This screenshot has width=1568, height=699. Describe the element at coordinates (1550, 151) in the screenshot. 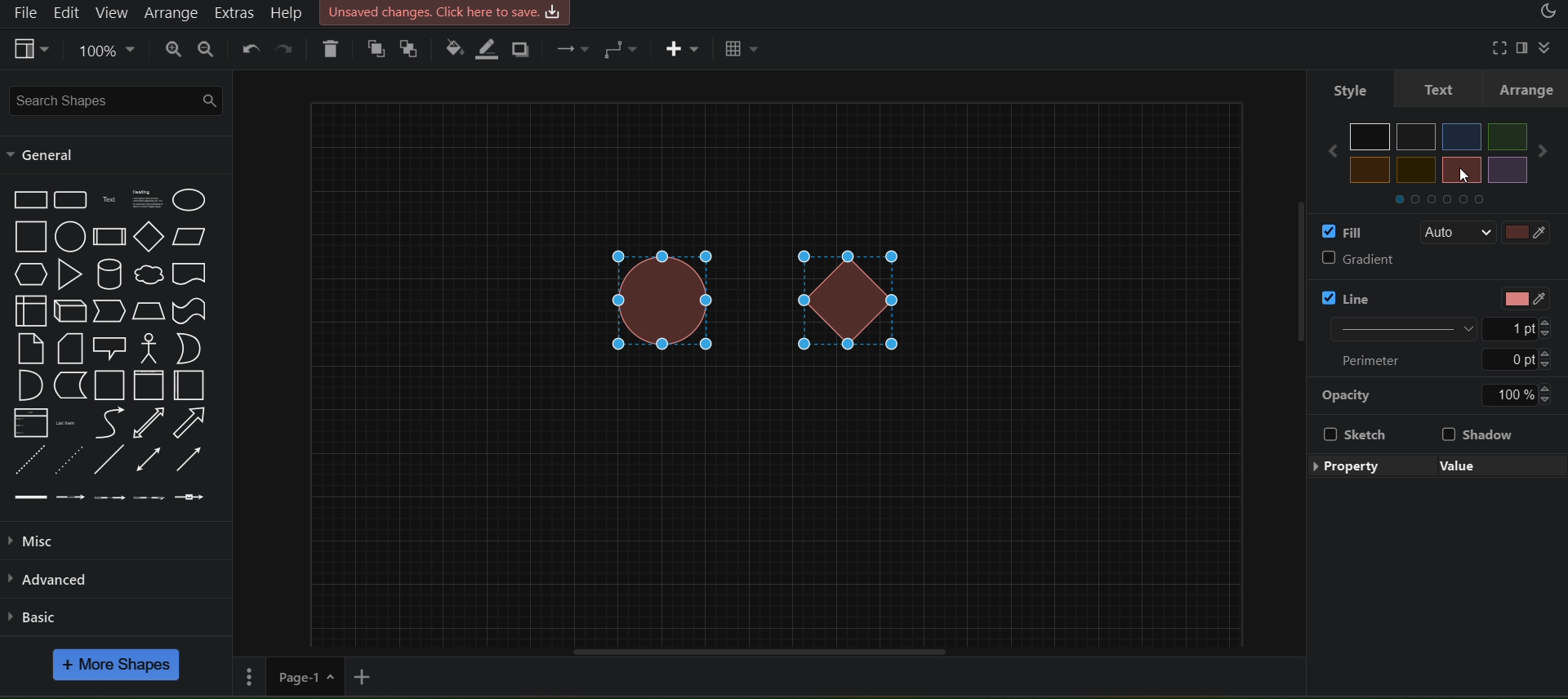

I see `` at that location.